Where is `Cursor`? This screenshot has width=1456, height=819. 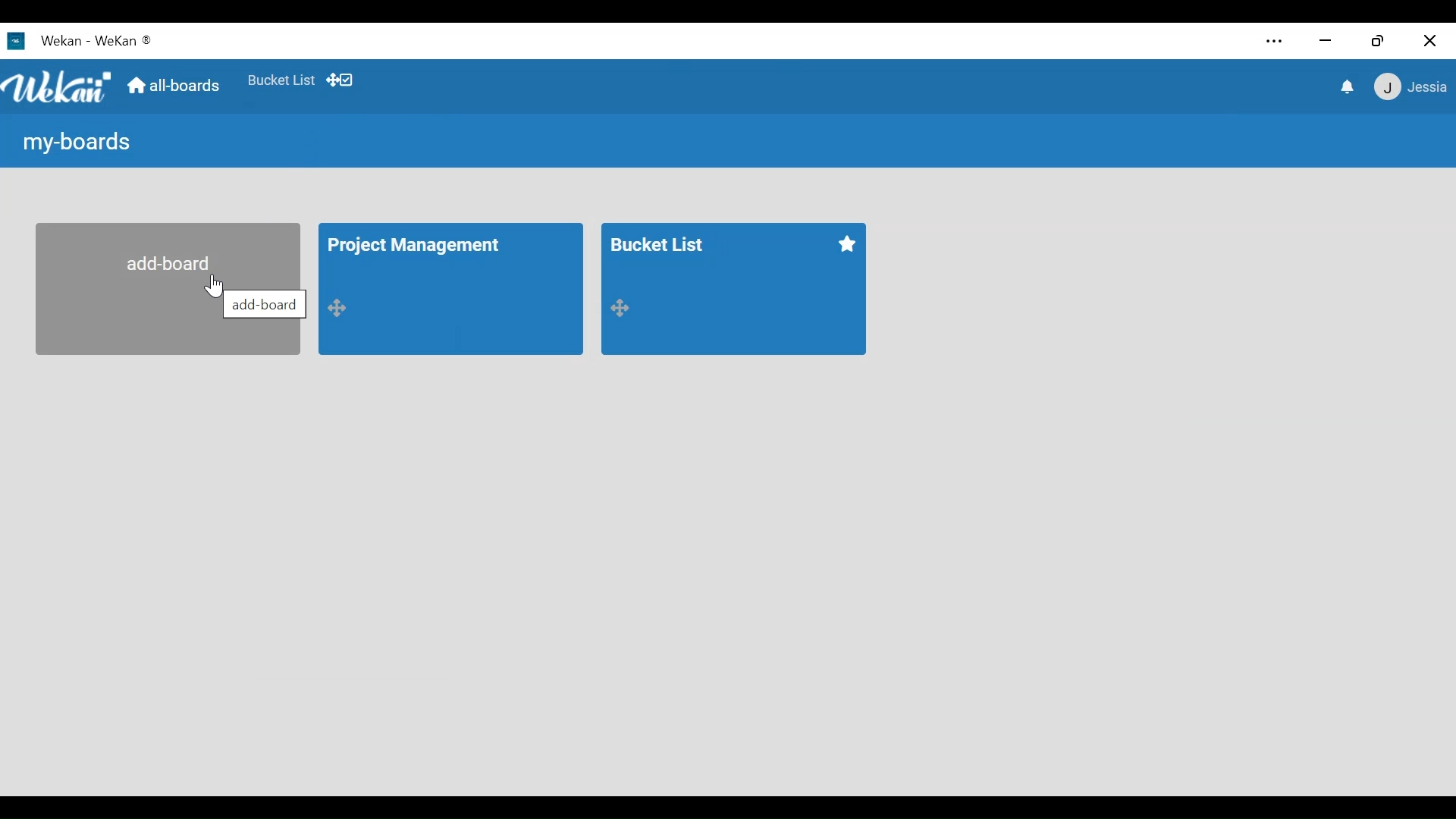 Cursor is located at coordinates (216, 287).